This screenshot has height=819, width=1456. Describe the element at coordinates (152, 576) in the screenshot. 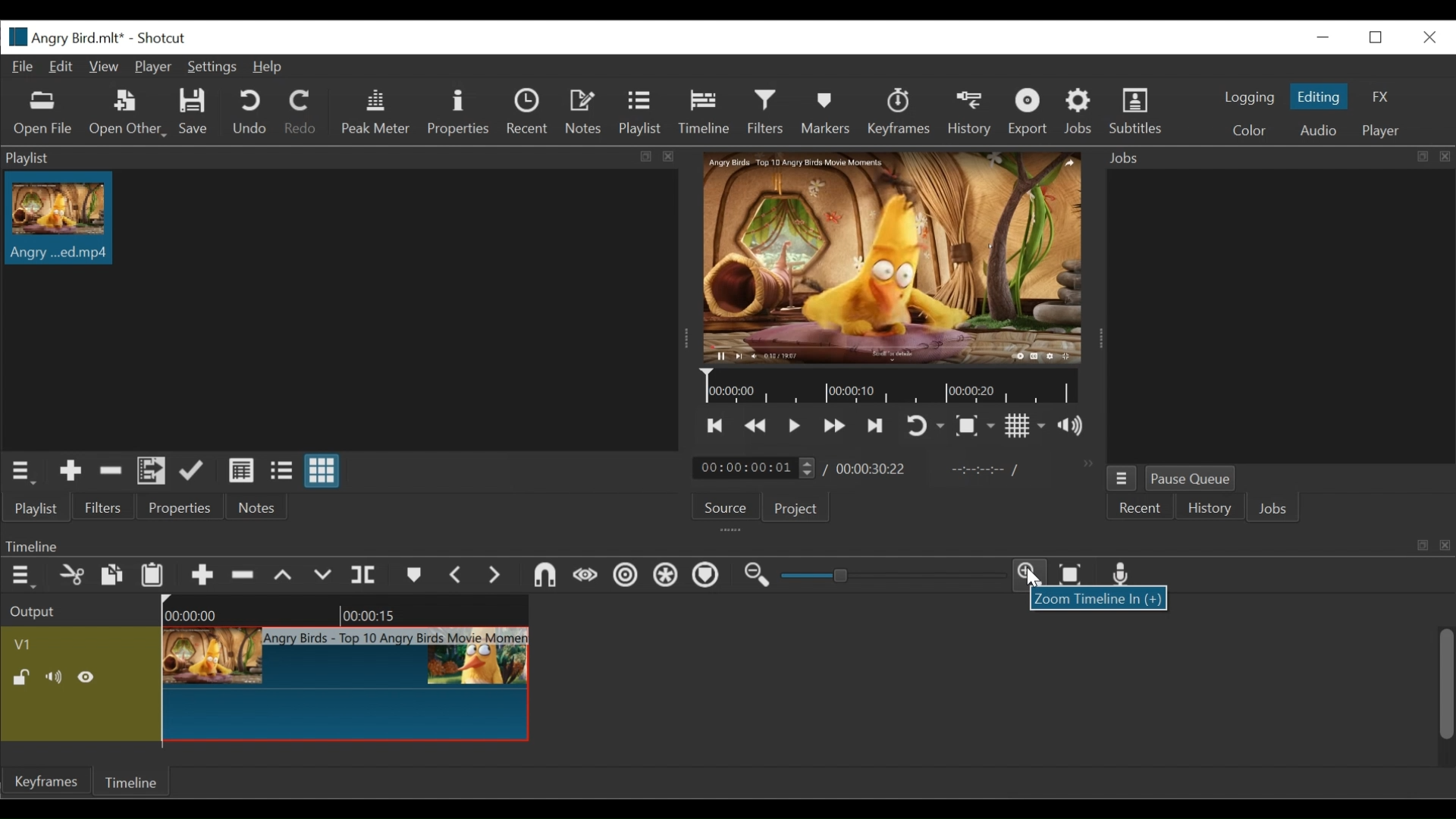

I see `Paste` at that location.